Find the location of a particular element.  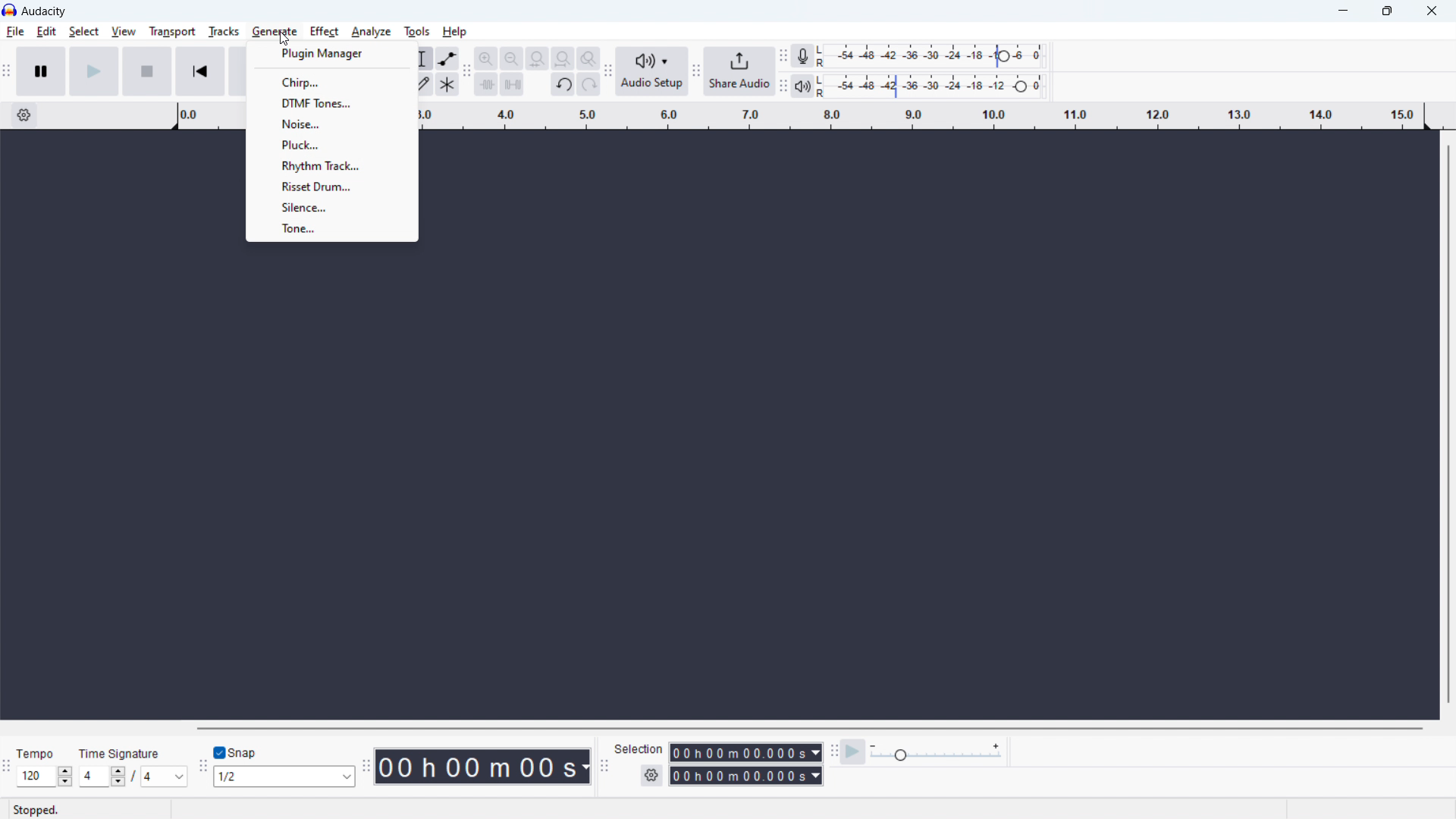

tone... is located at coordinates (331, 229).